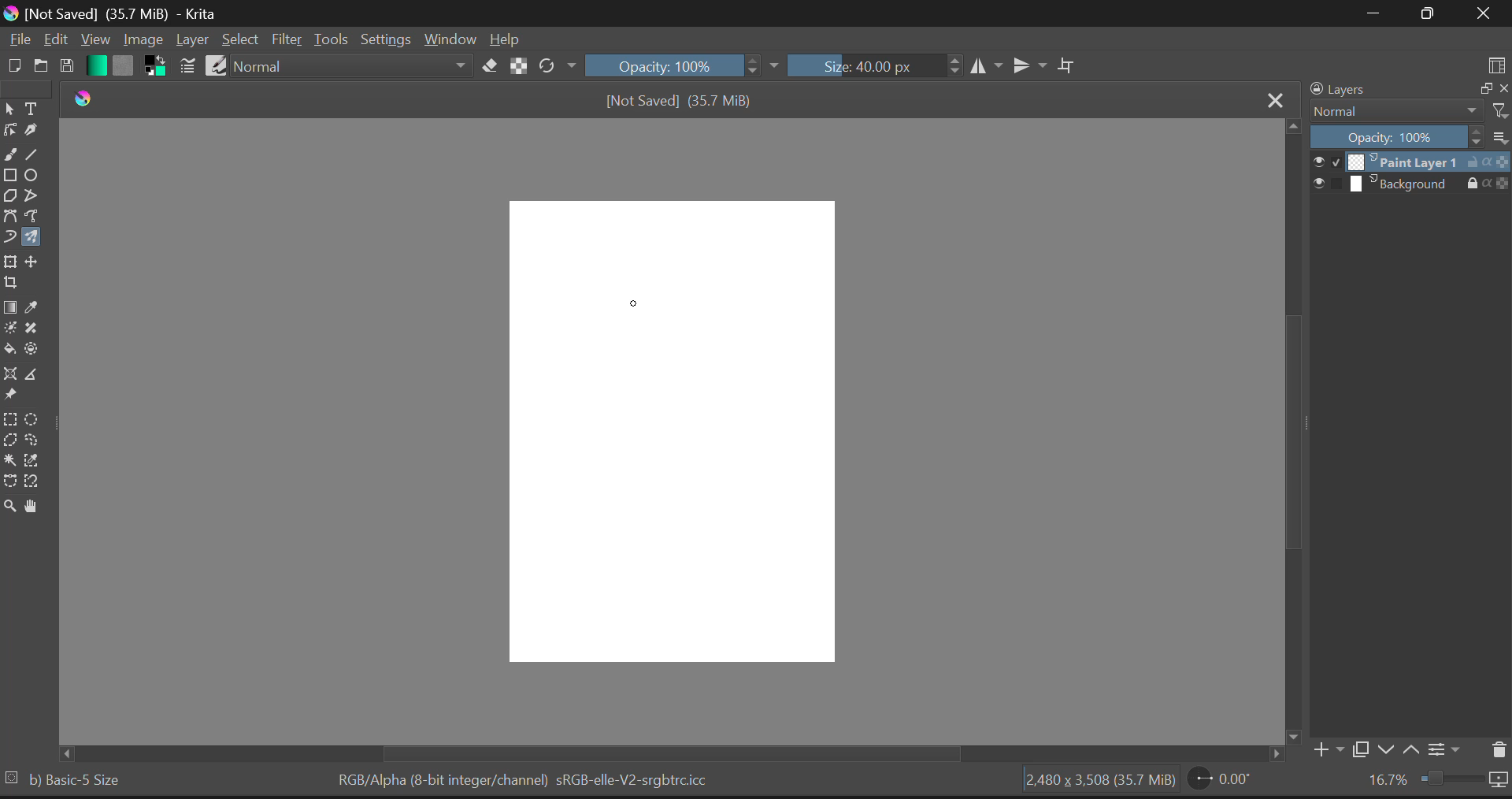 Image resolution: width=1512 pixels, height=799 pixels. I want to click on Save, so click(66, 67).